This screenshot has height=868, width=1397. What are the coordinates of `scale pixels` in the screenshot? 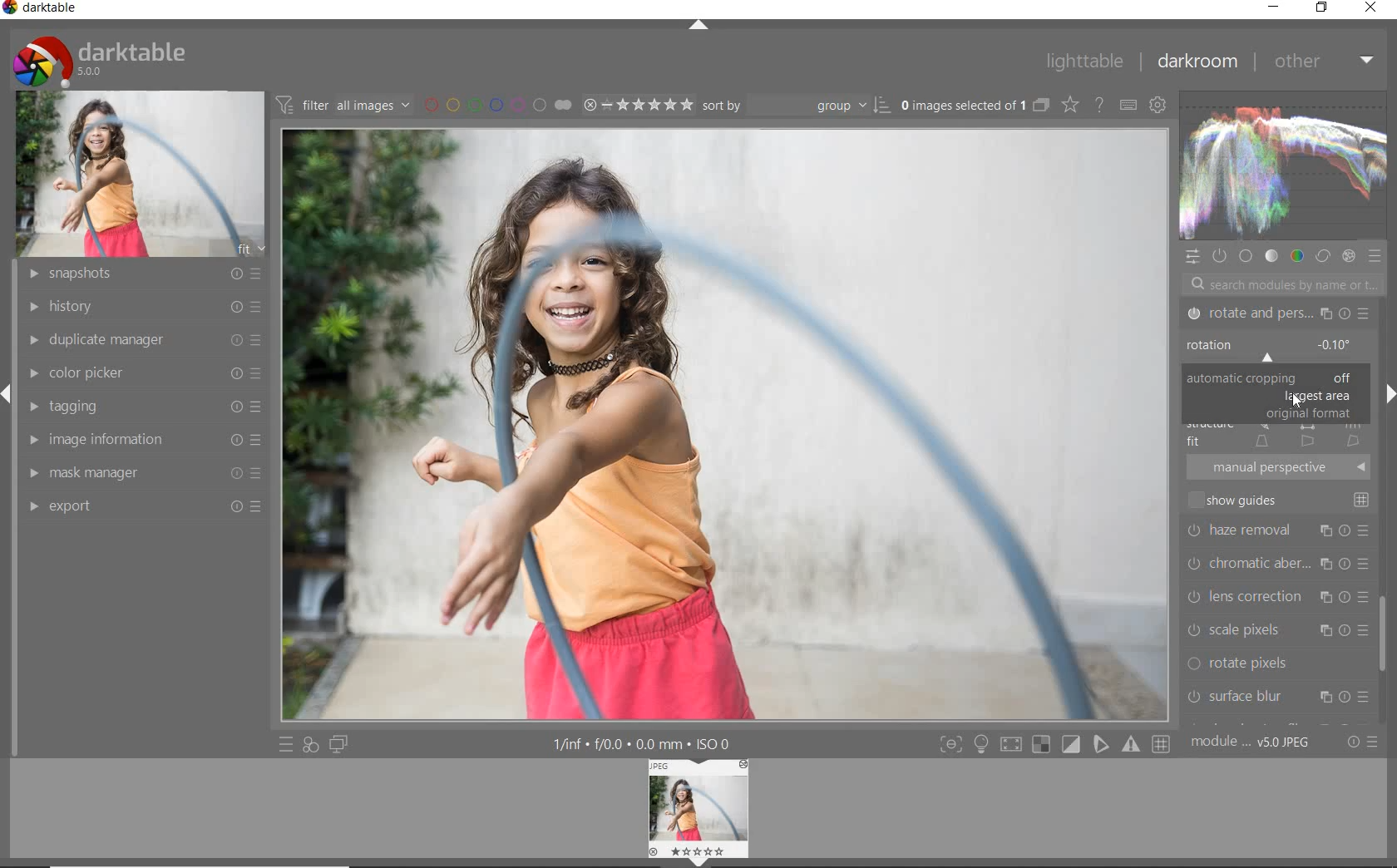 It's located at (1276, 629).